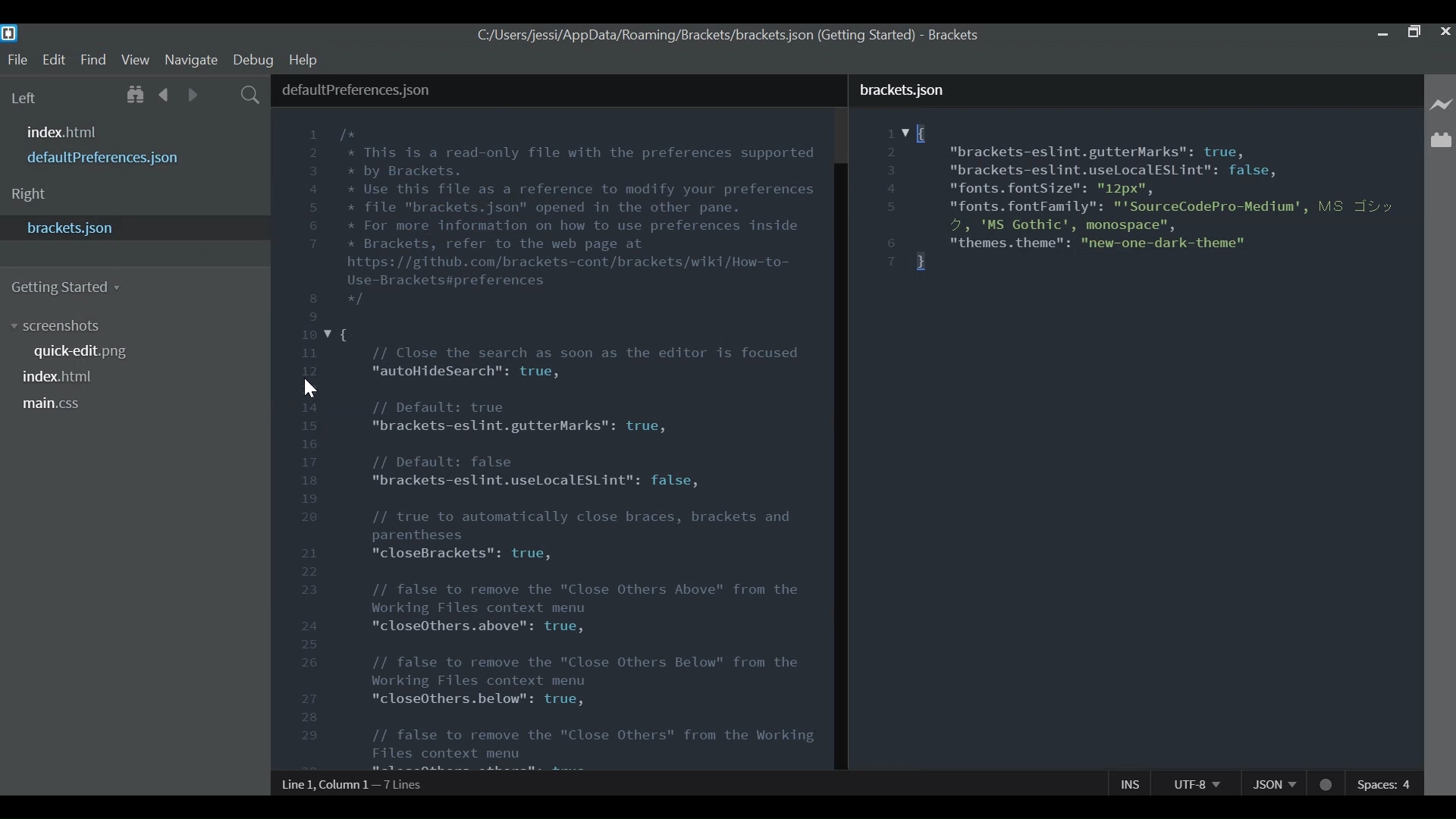 The height and width of the screenshot is (819, 1456). What do you see at coordinates (306, 61) in the screenshot?
I see `Help` at bounding box center [306, 61].